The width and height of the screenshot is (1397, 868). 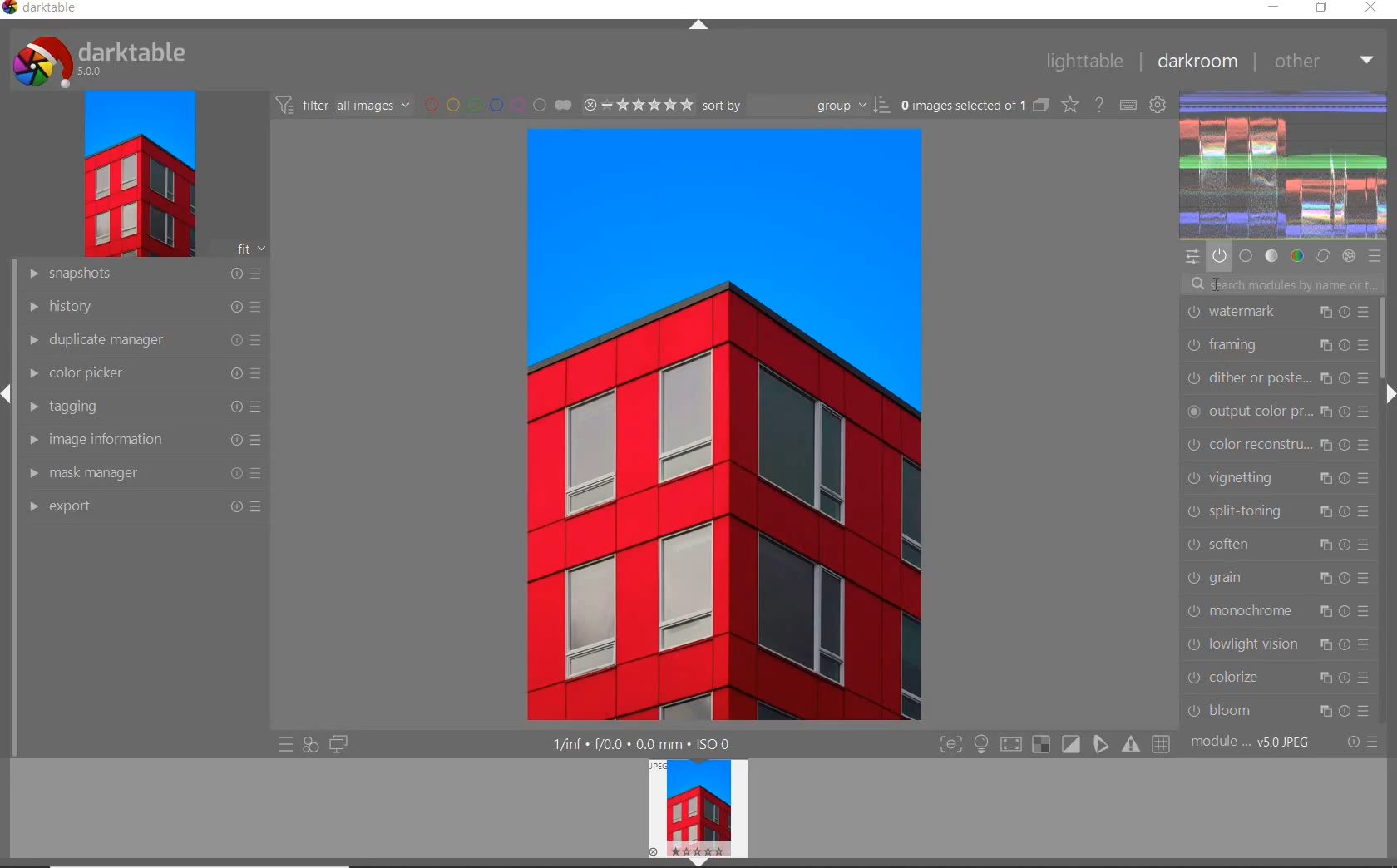 I want to click on split-toning, so click(x=1278, y=510).